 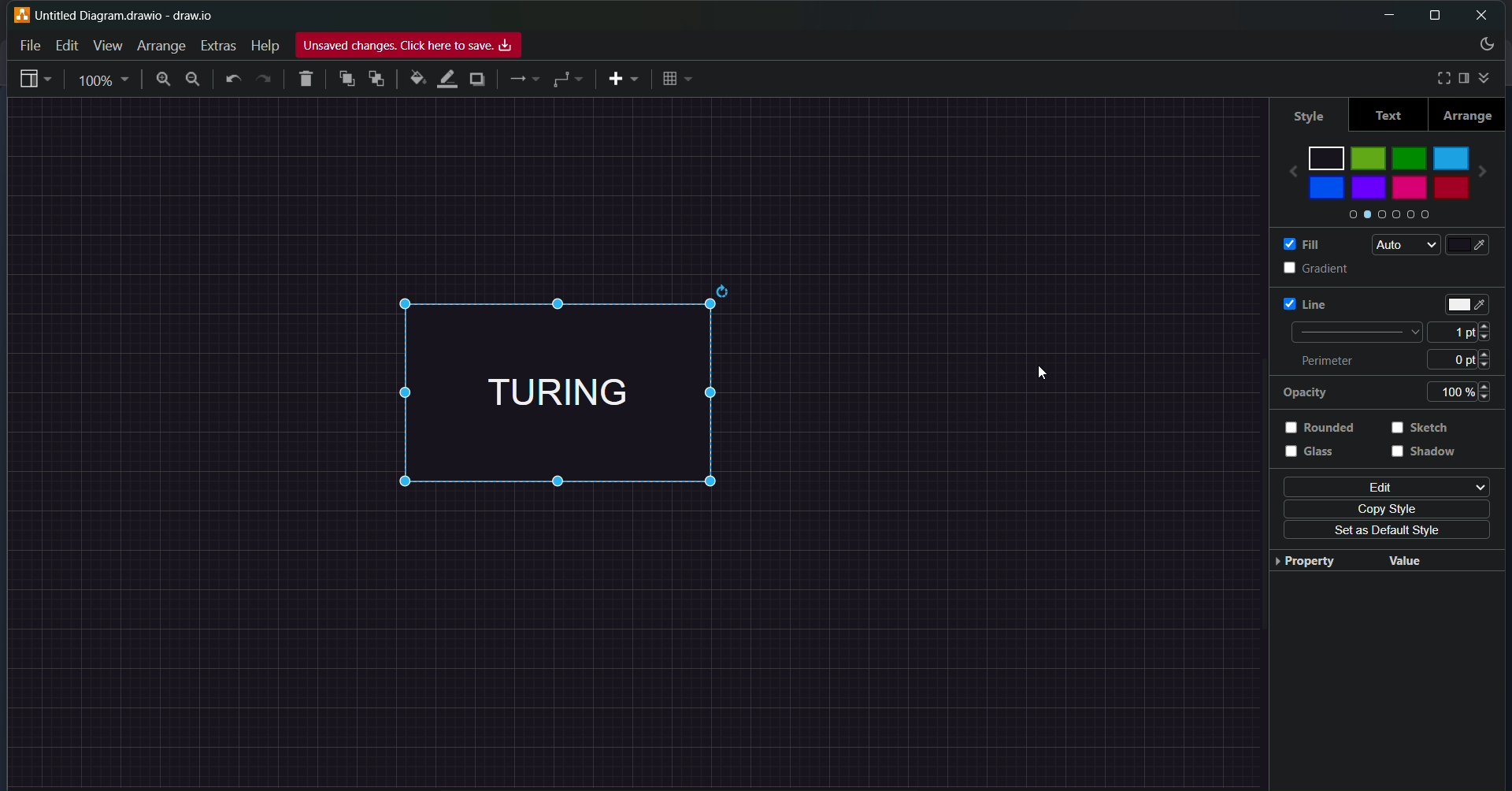 I want to click on shadow, so click(x=478, y=81).